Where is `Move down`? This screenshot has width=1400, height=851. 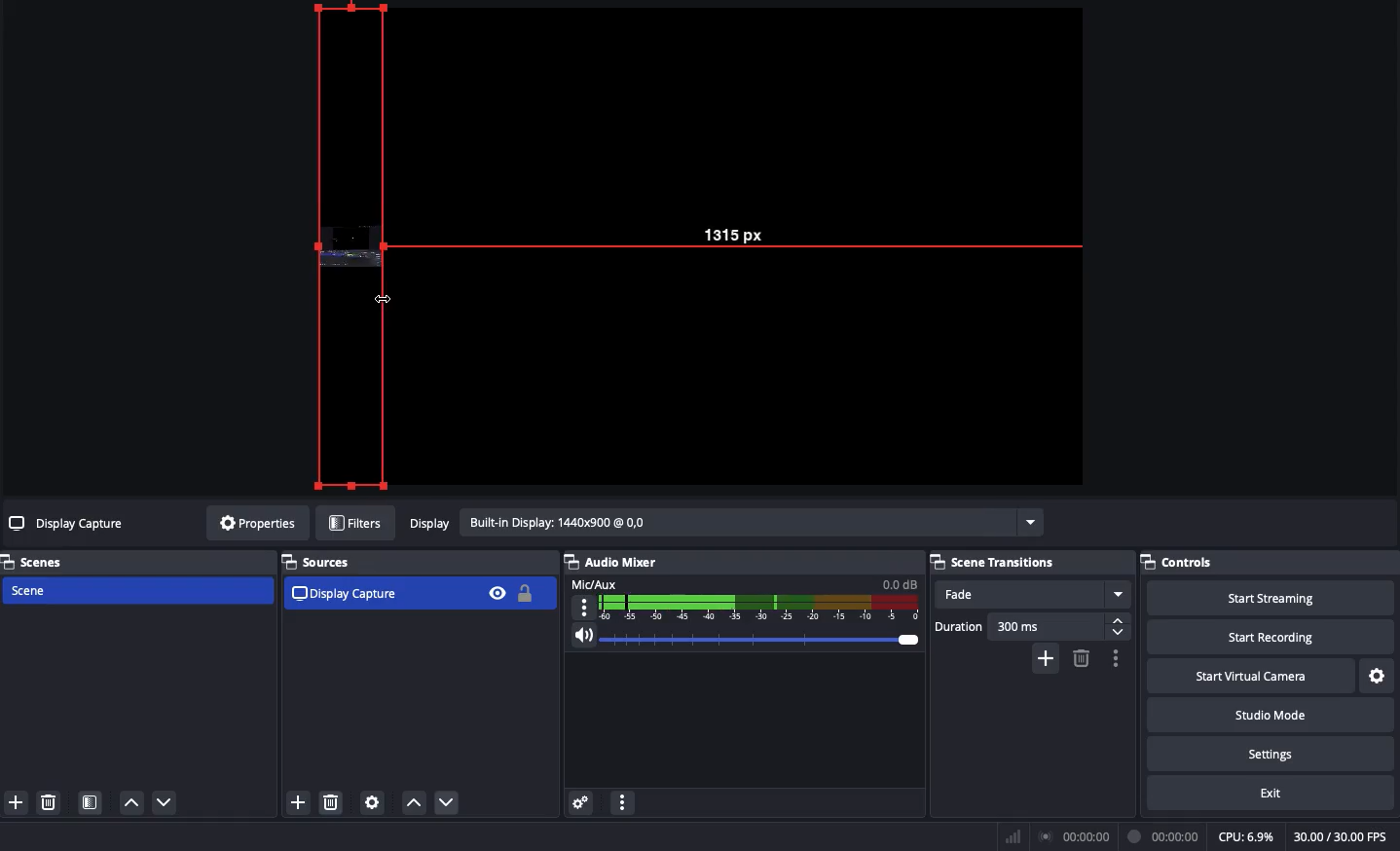 Move down is located at coordinates (166, 802).